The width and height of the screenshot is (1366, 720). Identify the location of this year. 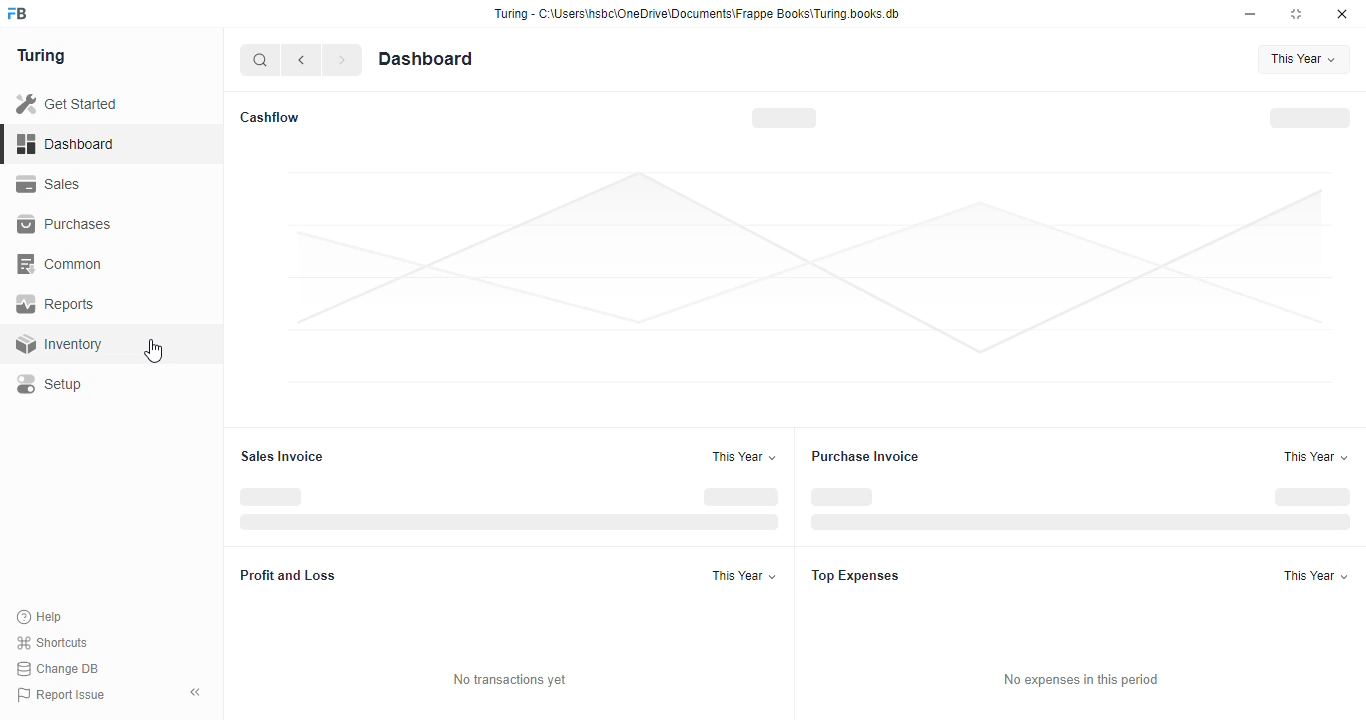
(1304, 59).